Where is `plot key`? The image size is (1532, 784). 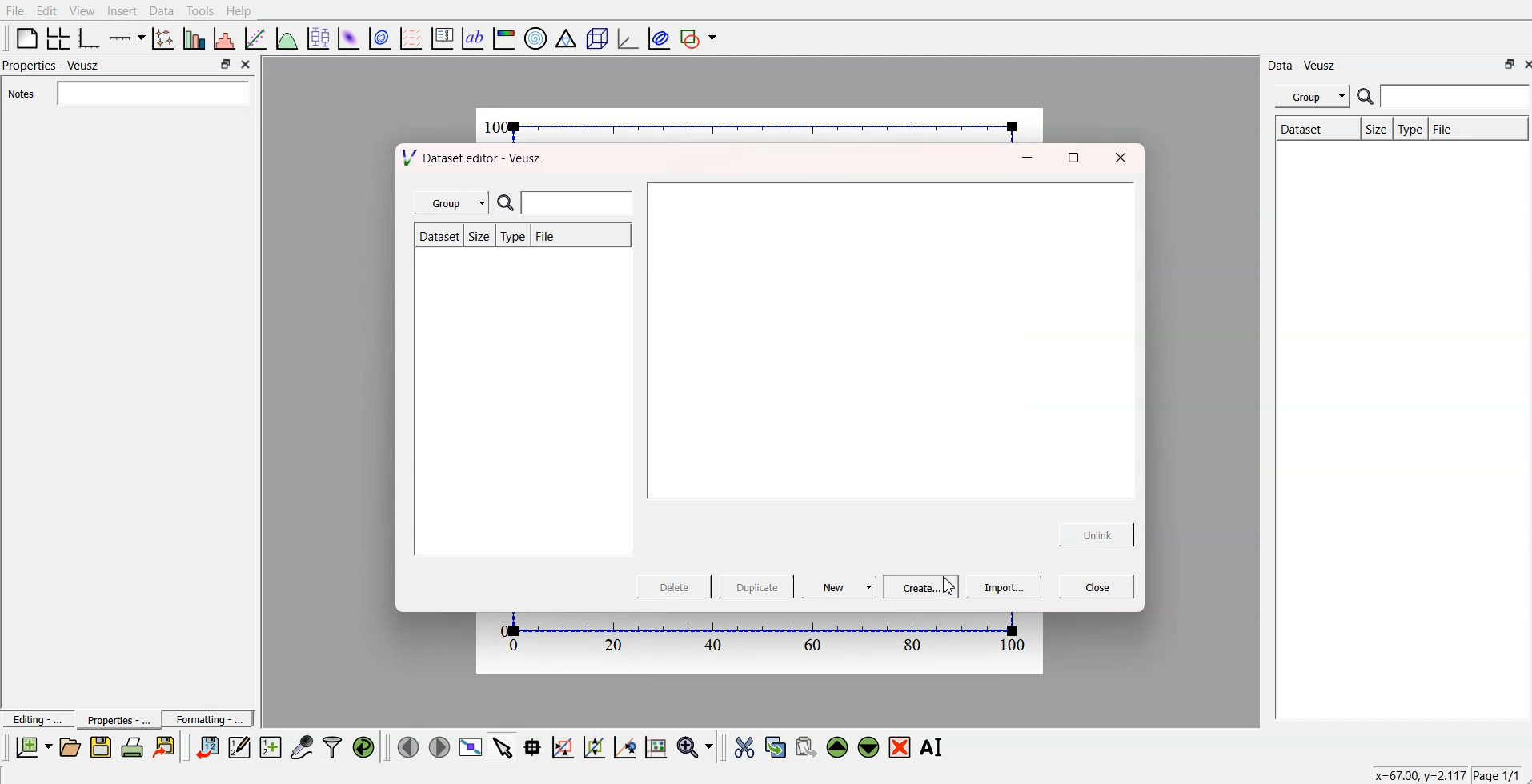 plot key is located at coordinates (443, 37).